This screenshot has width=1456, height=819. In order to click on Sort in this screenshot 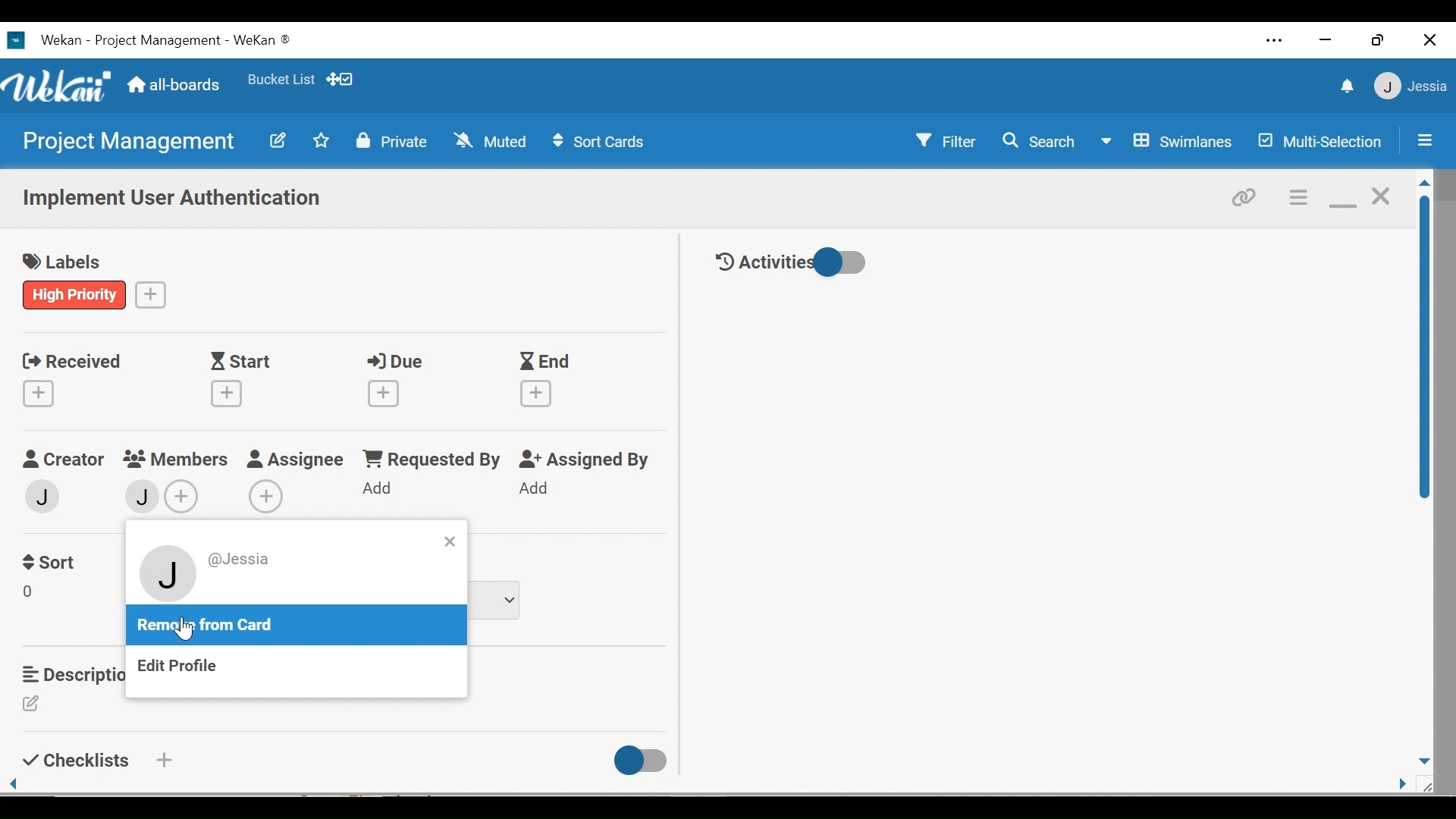, I will do `click(51, 563)`.